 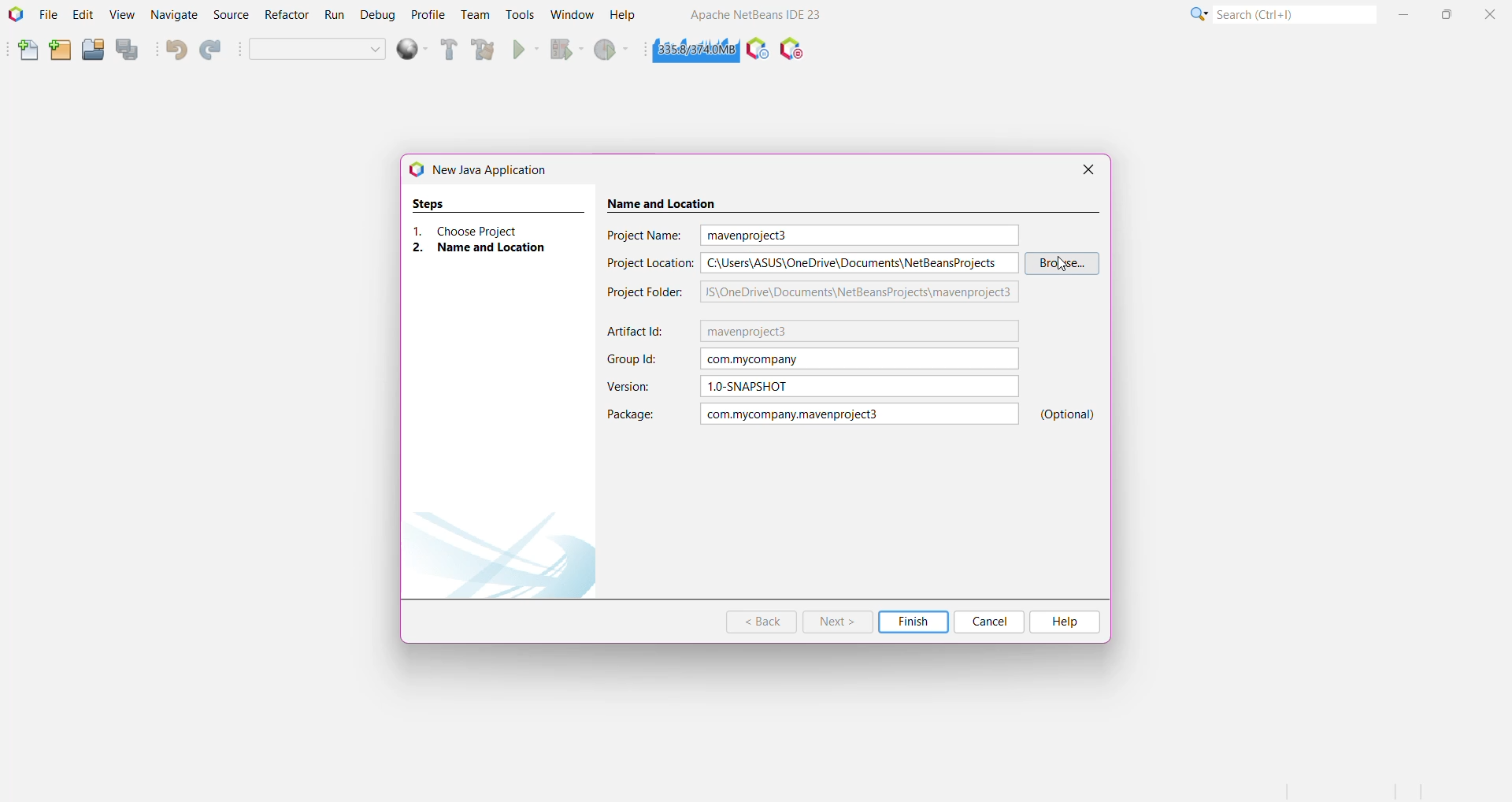 What do you see at coordinates (1063, 263) in the screenshot?
I see `Browse to select a required location` at bounding box center [1063, 263].